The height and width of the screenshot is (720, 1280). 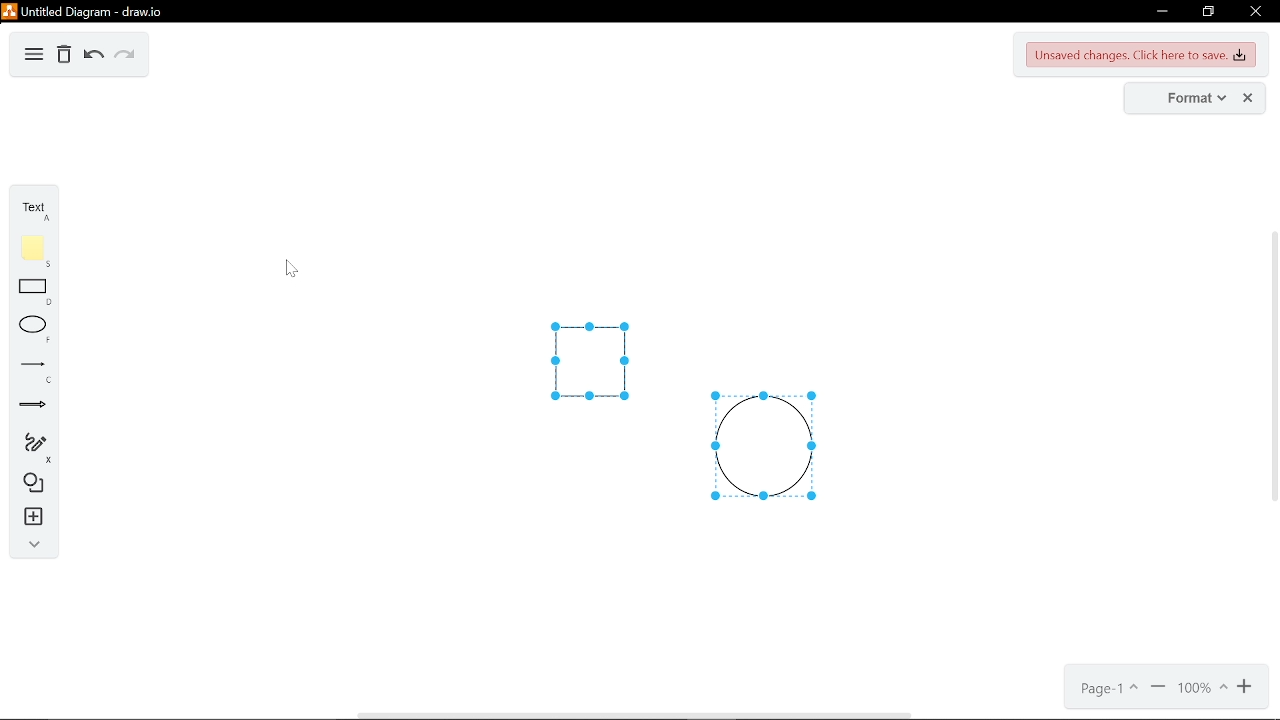 What do you see at coordinates (1203, 689) in the screenshot?
I see `current zoom` at bounding box center [1203, 689].